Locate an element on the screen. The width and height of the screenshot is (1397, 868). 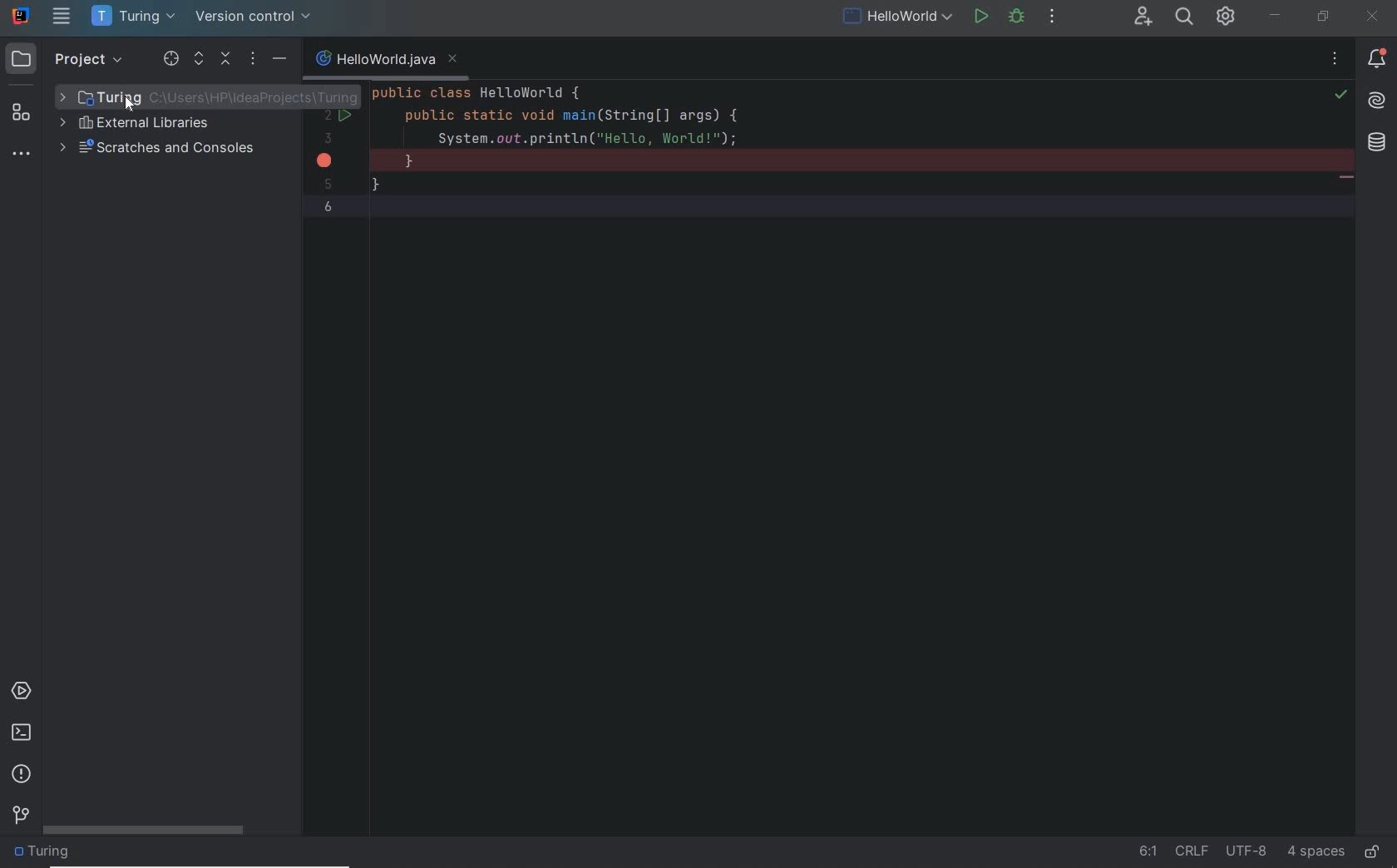
problems is located at coordinates (21, 775).